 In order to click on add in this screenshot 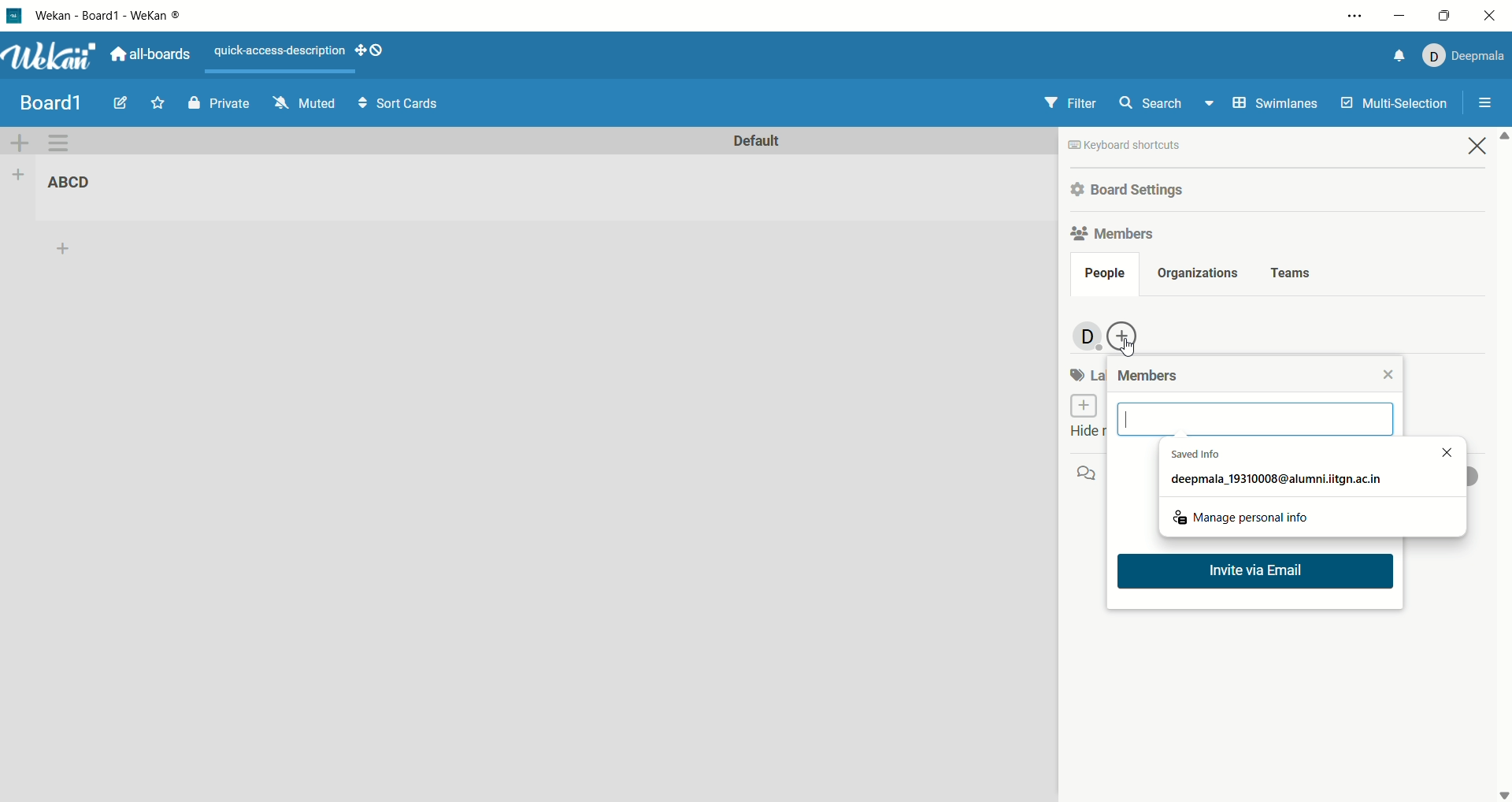, I will do `click(69, 249)`.